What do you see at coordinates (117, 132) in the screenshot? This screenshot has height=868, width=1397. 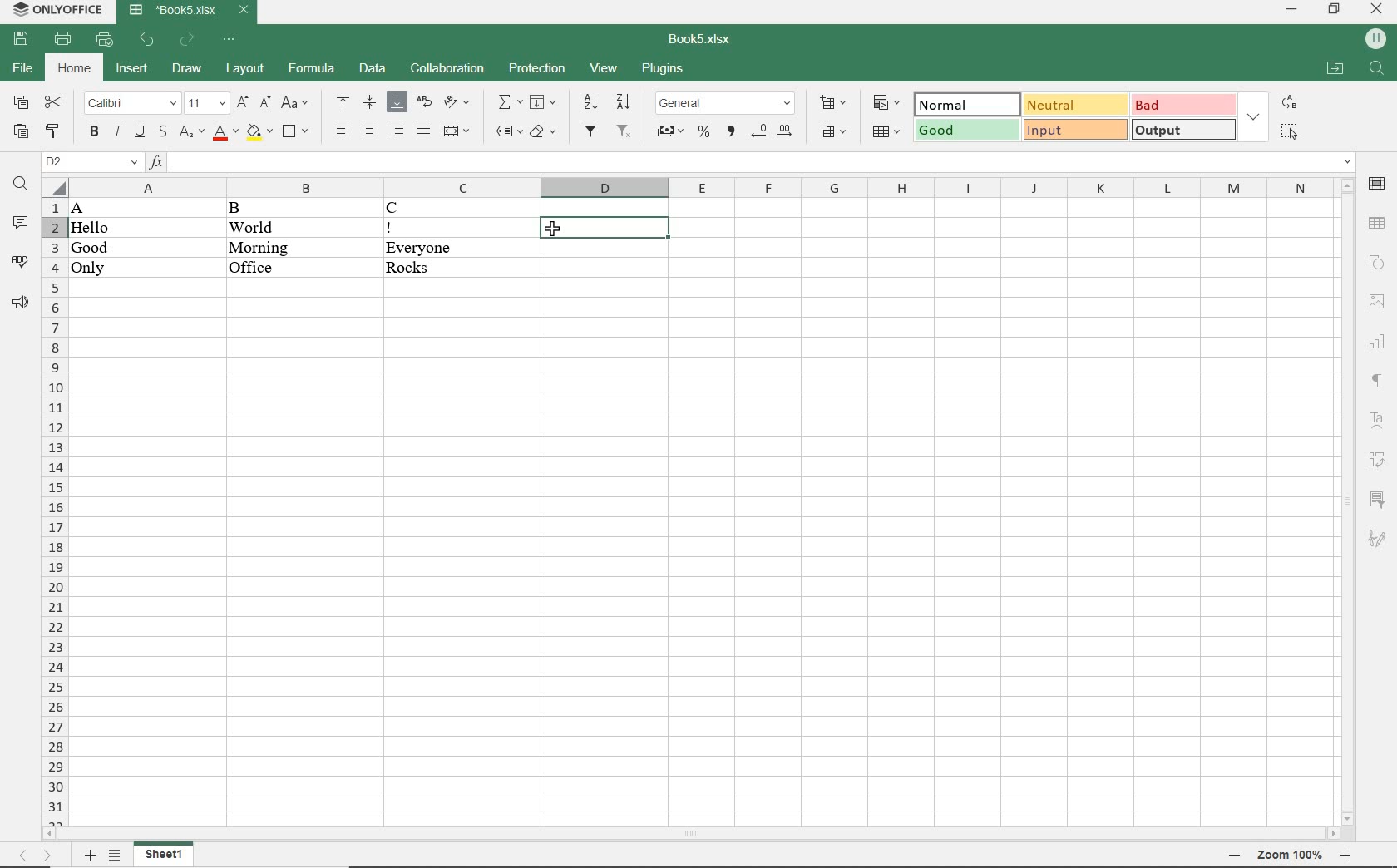 I see `italic` at bounding box center [117, 132].